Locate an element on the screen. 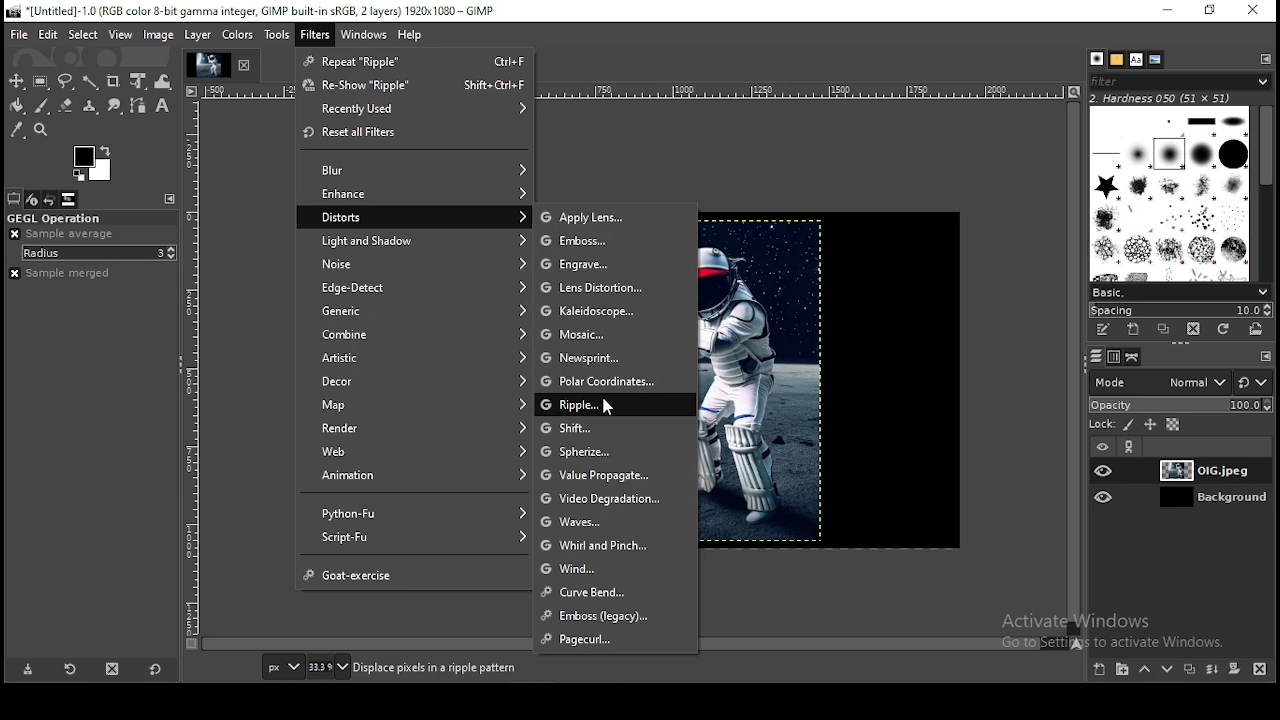 Image resolution: width=1280 pixels, height=720 pixels. mosaic is located at coordinates (609, 334).